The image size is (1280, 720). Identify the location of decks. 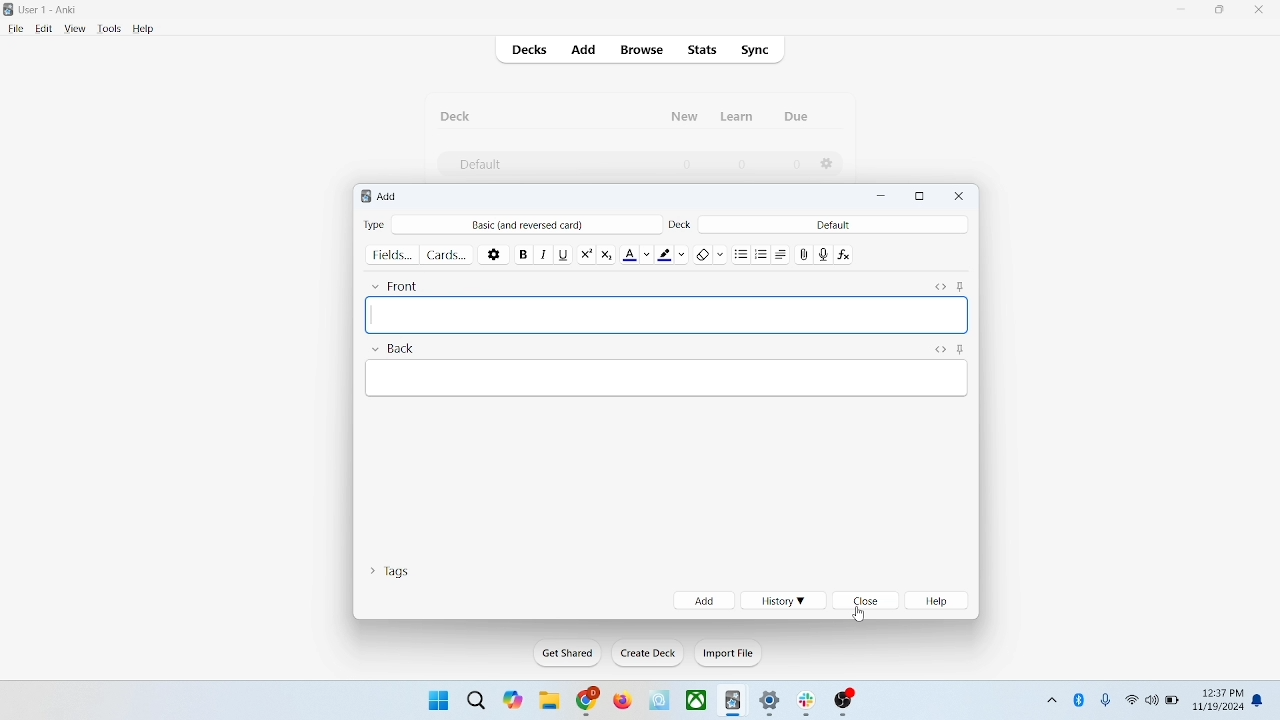
(532, 52).